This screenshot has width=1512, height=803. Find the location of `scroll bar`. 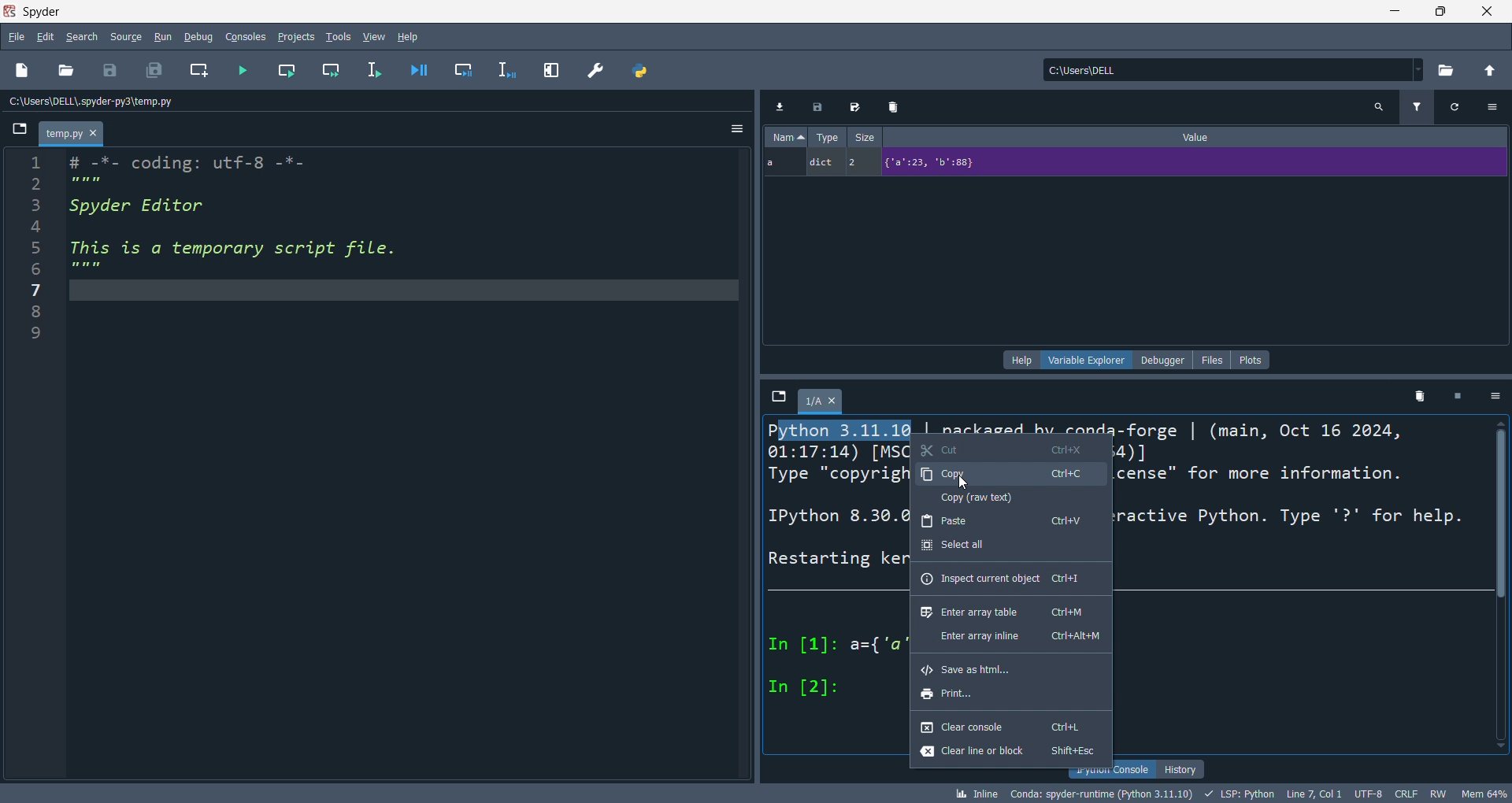

scroll bar is located at coordinates (1503, 590).